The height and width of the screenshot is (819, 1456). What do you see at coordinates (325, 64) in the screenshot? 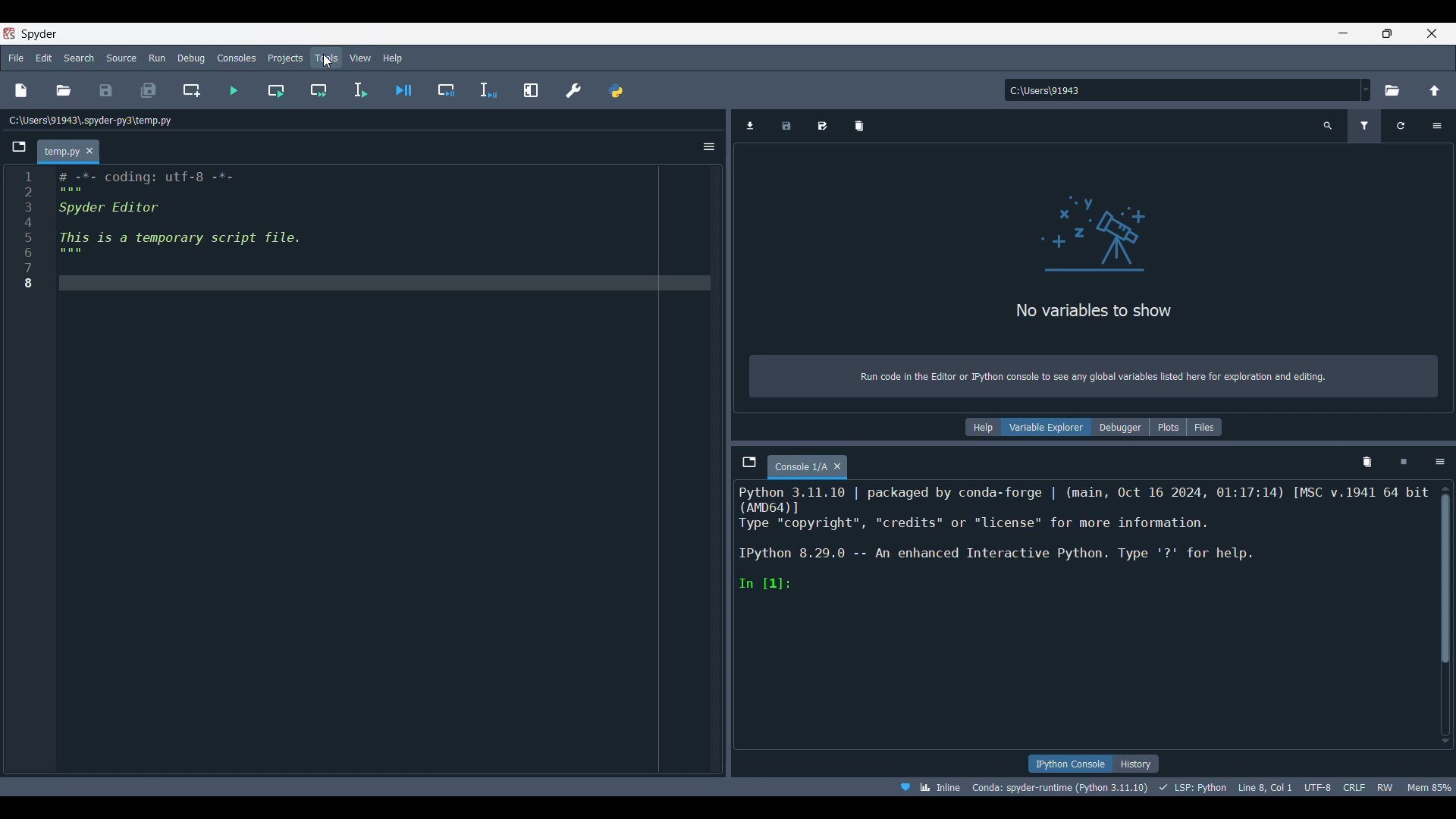
I see `cursor` at bounding box center [325, 64].